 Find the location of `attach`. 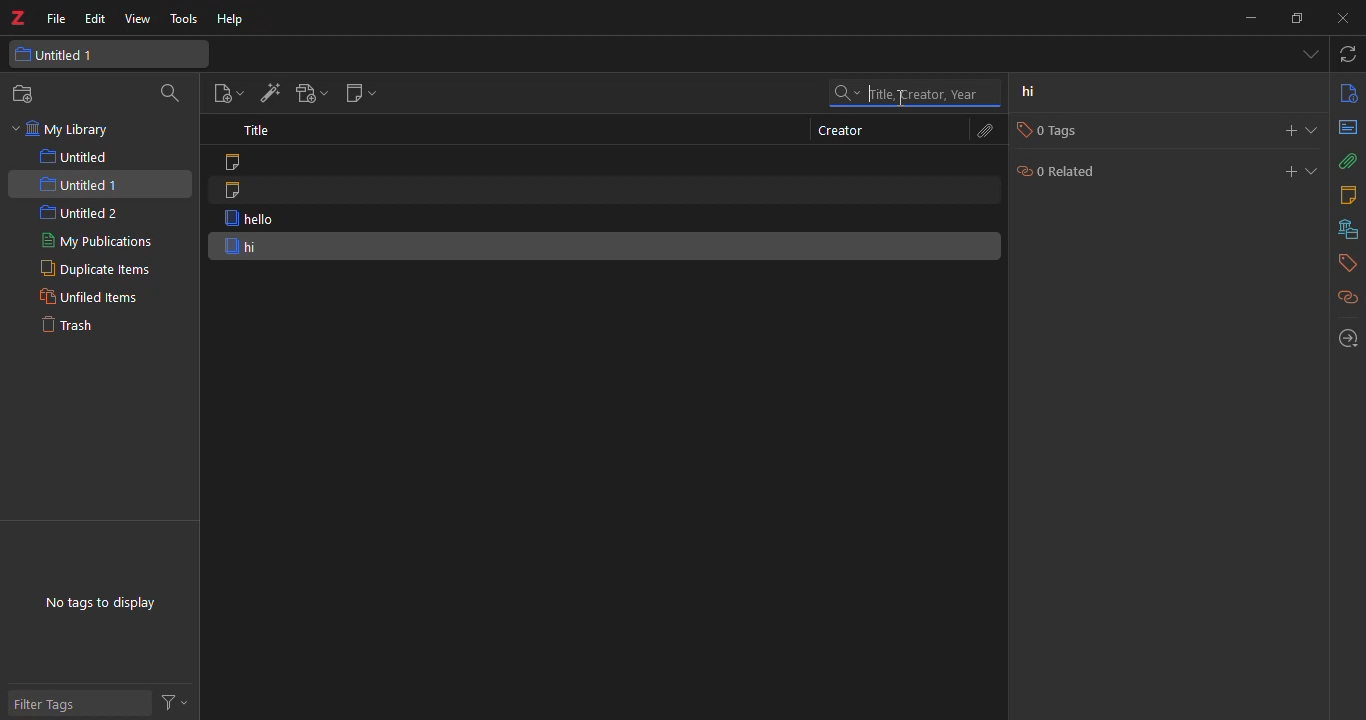

attach is located at coordinates (984, 130).